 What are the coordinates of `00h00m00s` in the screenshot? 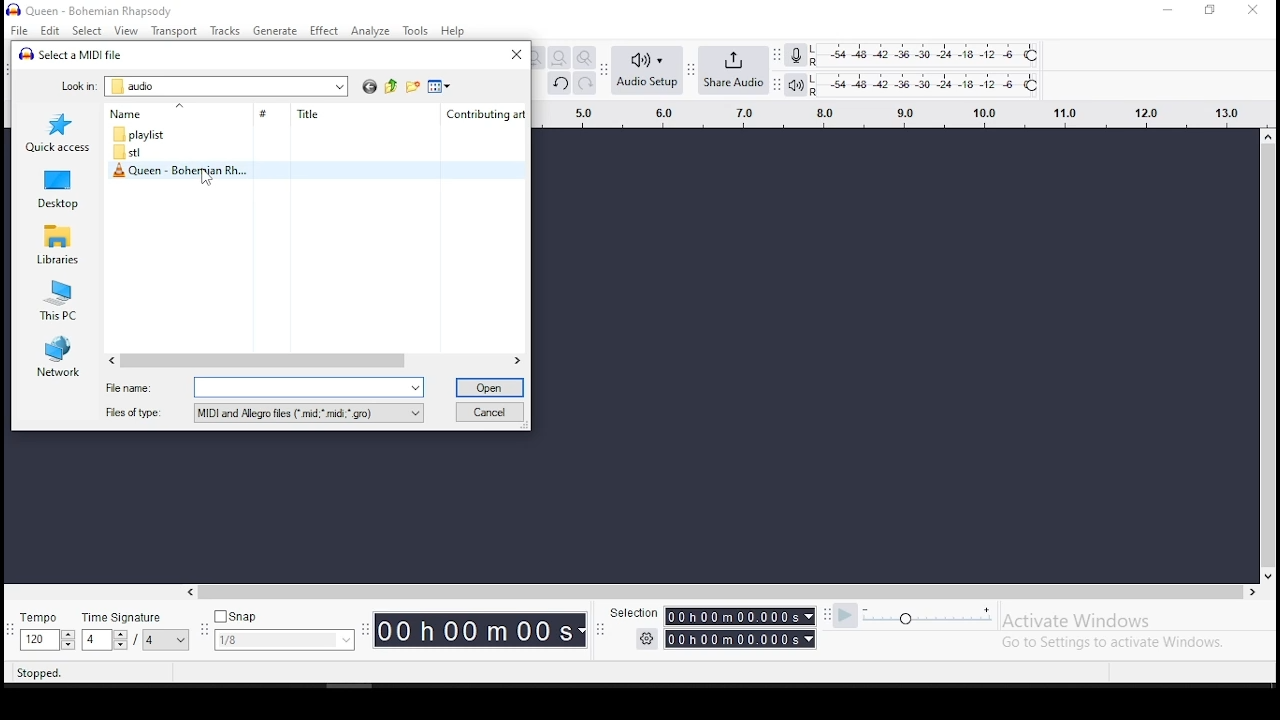 It's located at (742, 618).